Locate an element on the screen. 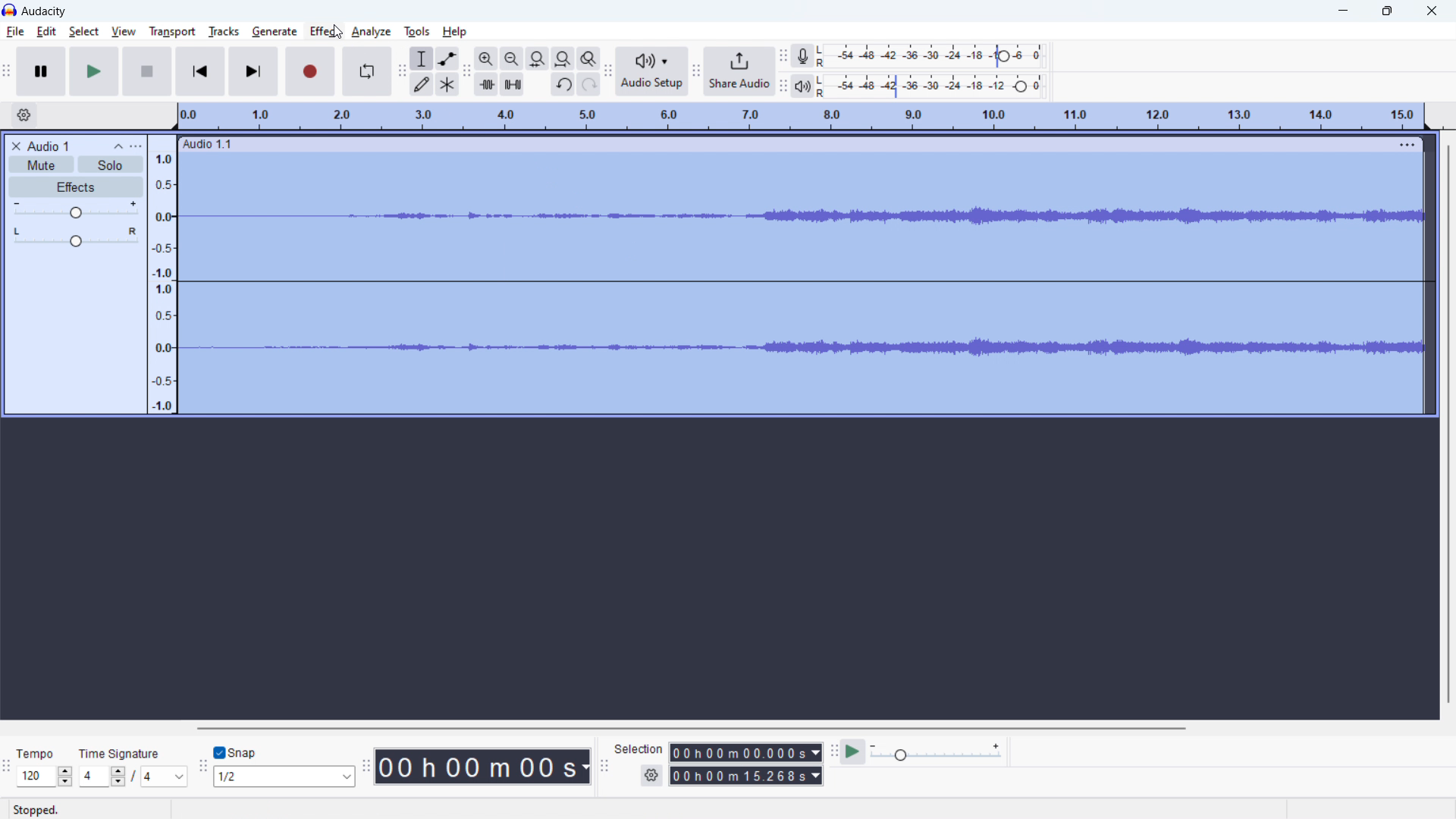 The width and height of the screenshot is (1456, 819). pause is located at coordinates (42, 71).